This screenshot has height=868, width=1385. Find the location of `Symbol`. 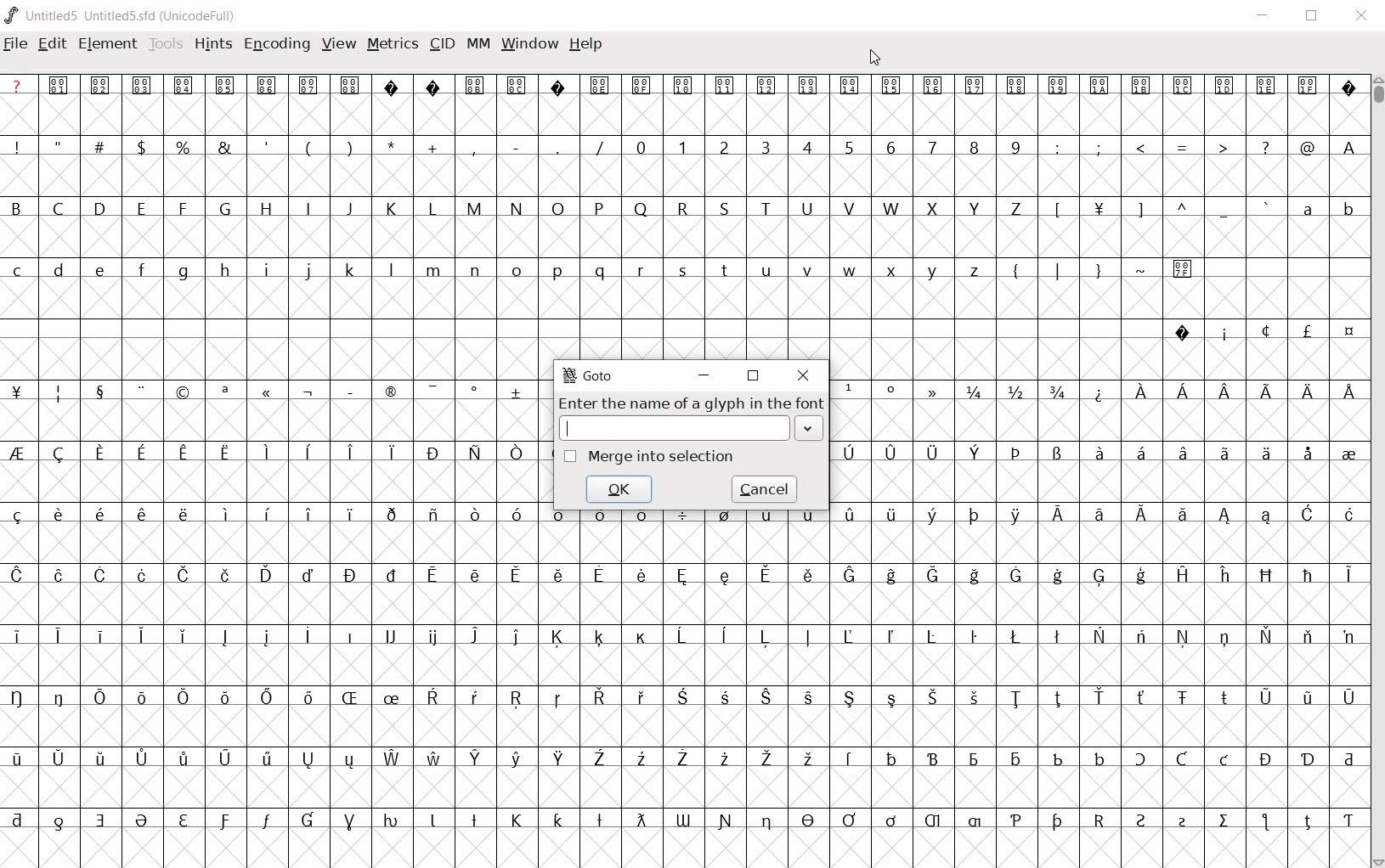

Symbol is located at coordinates (226, 86).